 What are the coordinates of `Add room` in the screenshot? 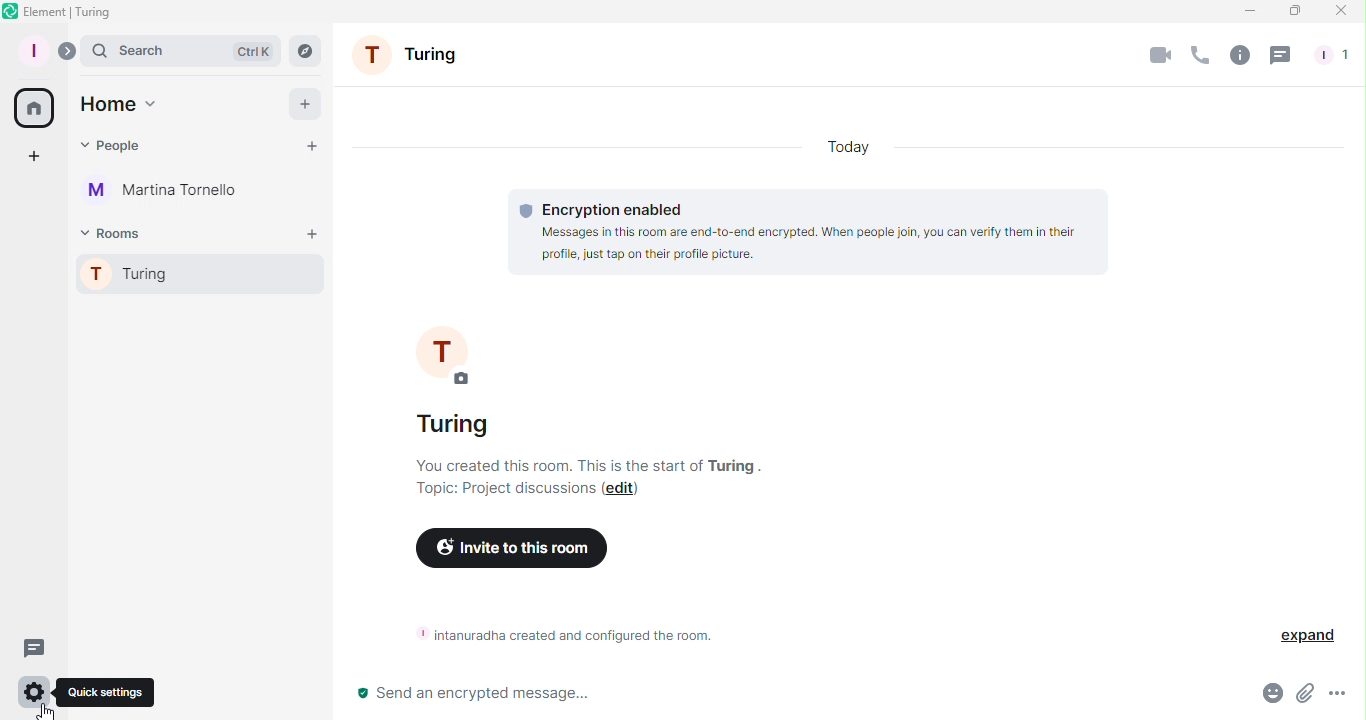 It's located at (309, 232).